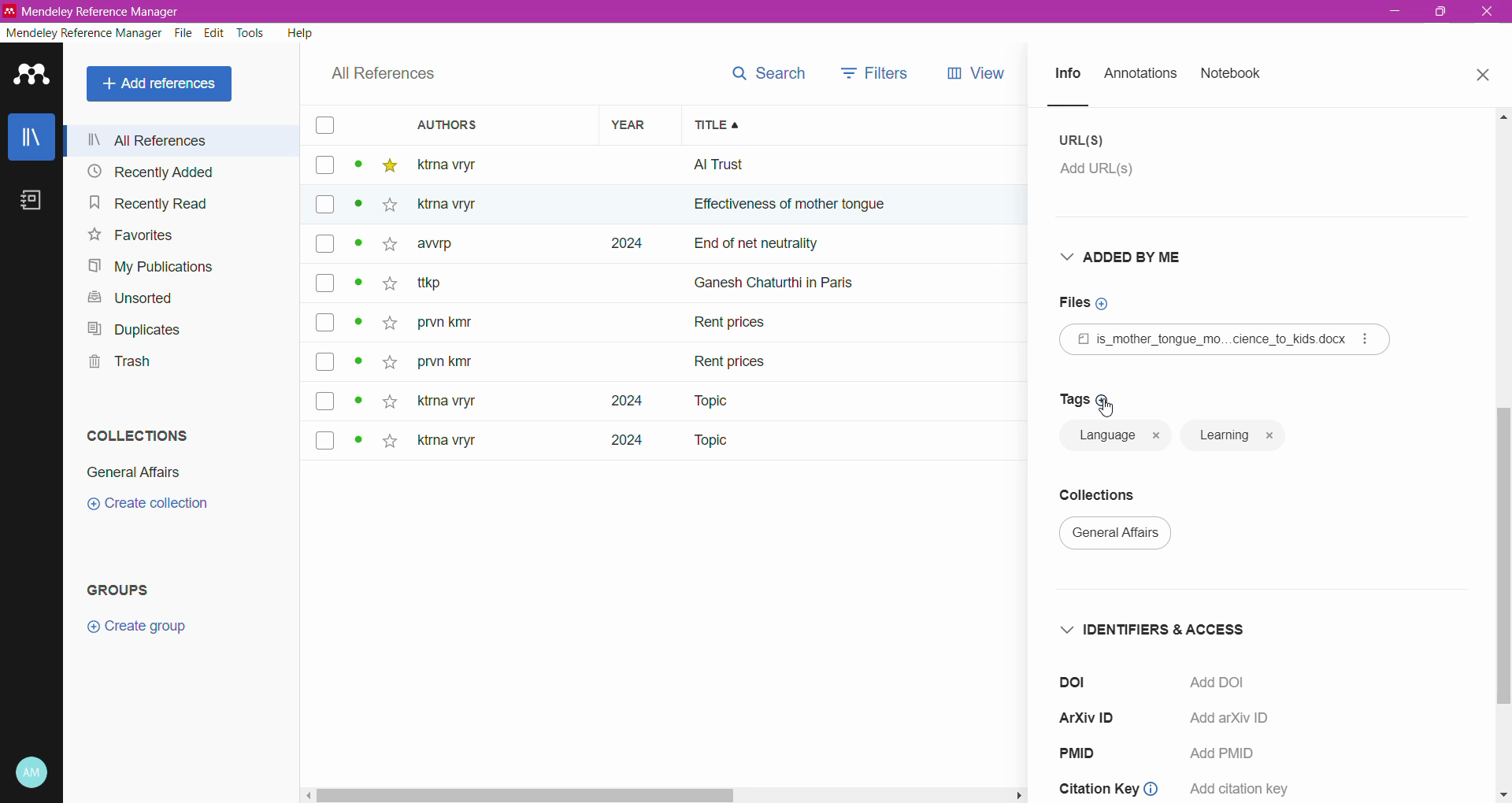 The image size is (1512, 803). Describe the element at coordinates (1159, 628) in the screenshot. I see `Identifiers and Access` at that location.